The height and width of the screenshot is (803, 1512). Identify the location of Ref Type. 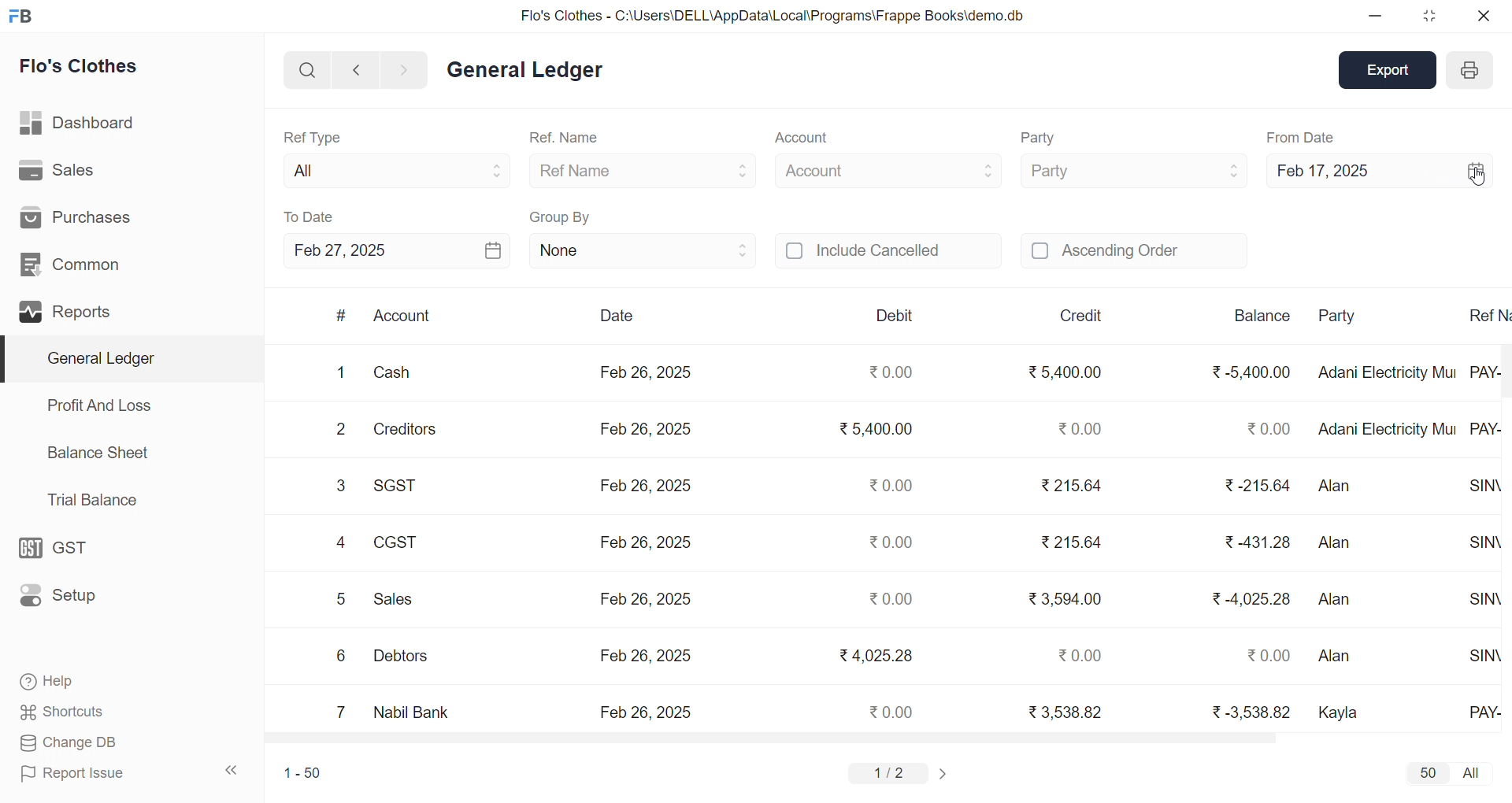
(312, 136).